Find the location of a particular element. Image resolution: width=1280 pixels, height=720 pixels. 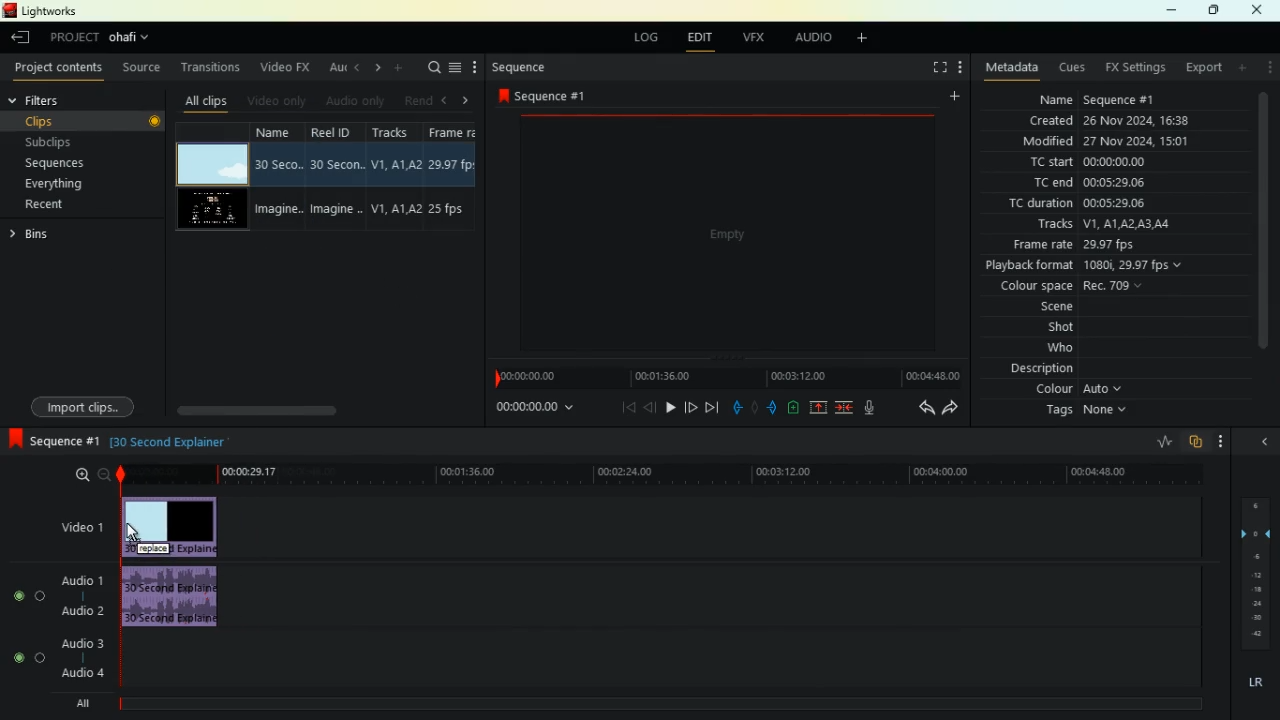

metadata is located at coordinates (1012, 68).